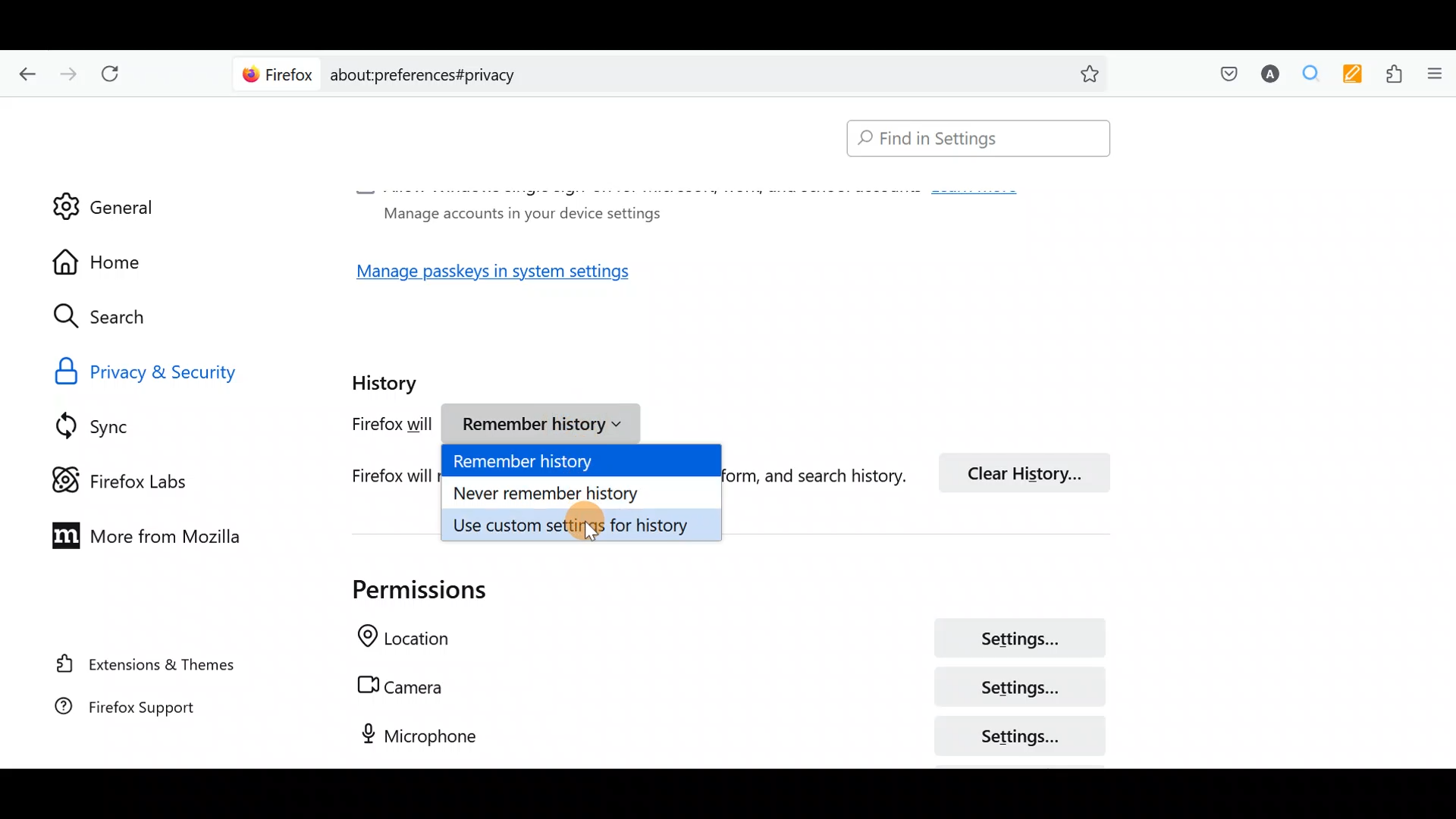 This screenshot has height=819, width=1456. What do you see at coordinates (510, 276) in the screenshot?
I see `Manage passkeys in system settings` at bounding box center [510, 276].